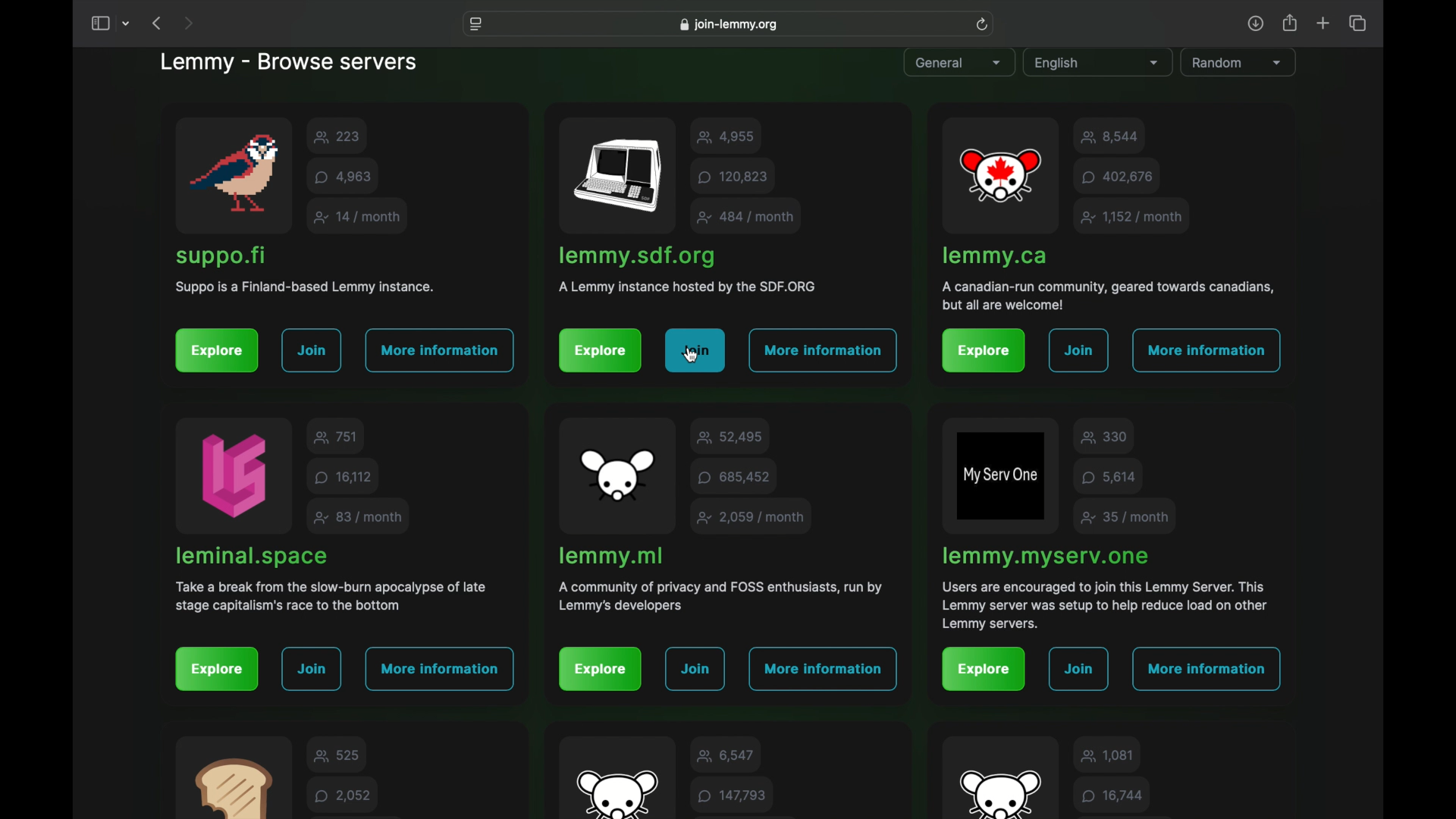 This screenshot has width=1456, height=819. I want to click on stat, so click(359, 217).